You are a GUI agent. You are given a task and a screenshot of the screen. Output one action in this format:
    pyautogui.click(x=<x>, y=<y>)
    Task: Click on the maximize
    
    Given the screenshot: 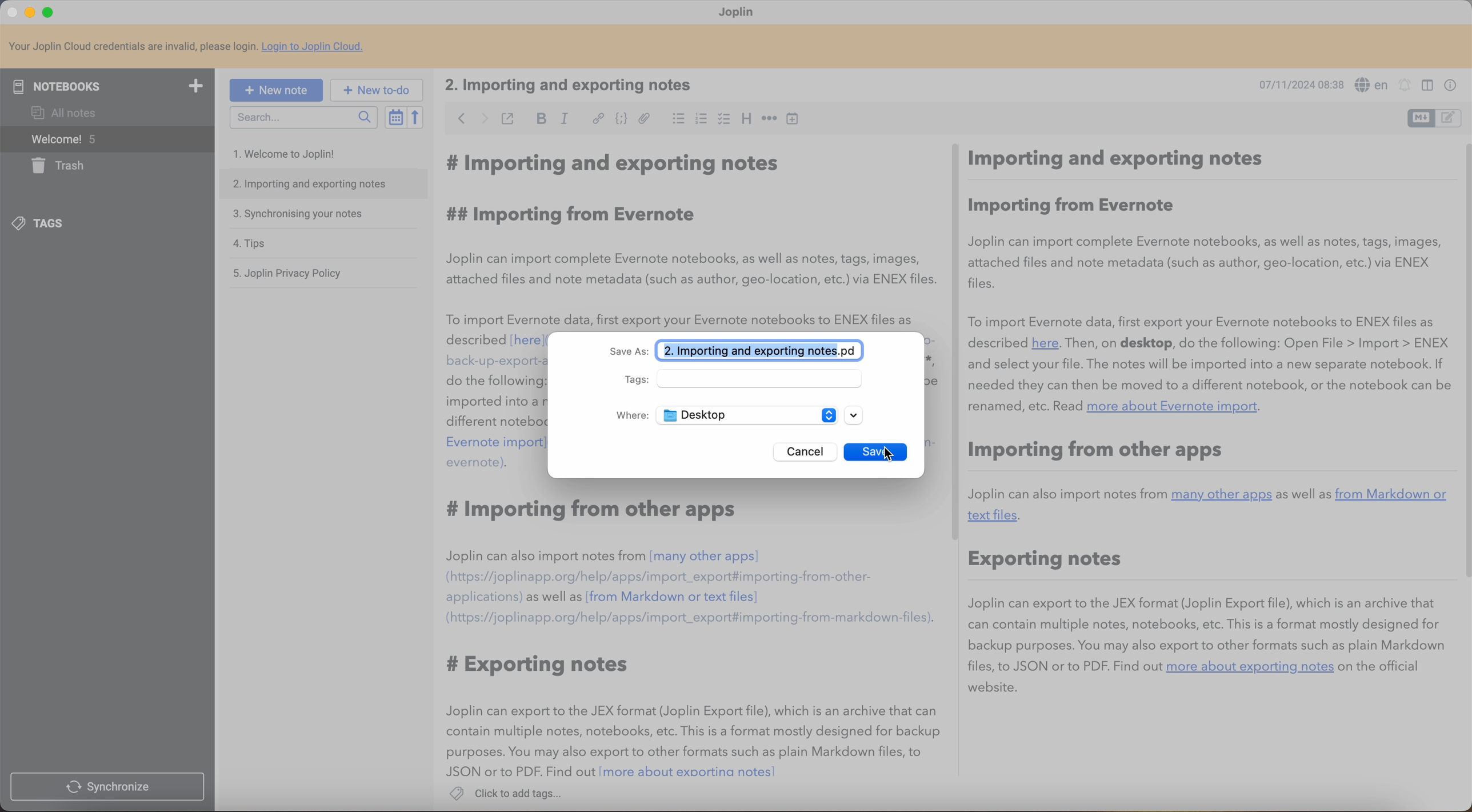 What is the action you would take?
    pyautogui.click(x=49, y=11)
    